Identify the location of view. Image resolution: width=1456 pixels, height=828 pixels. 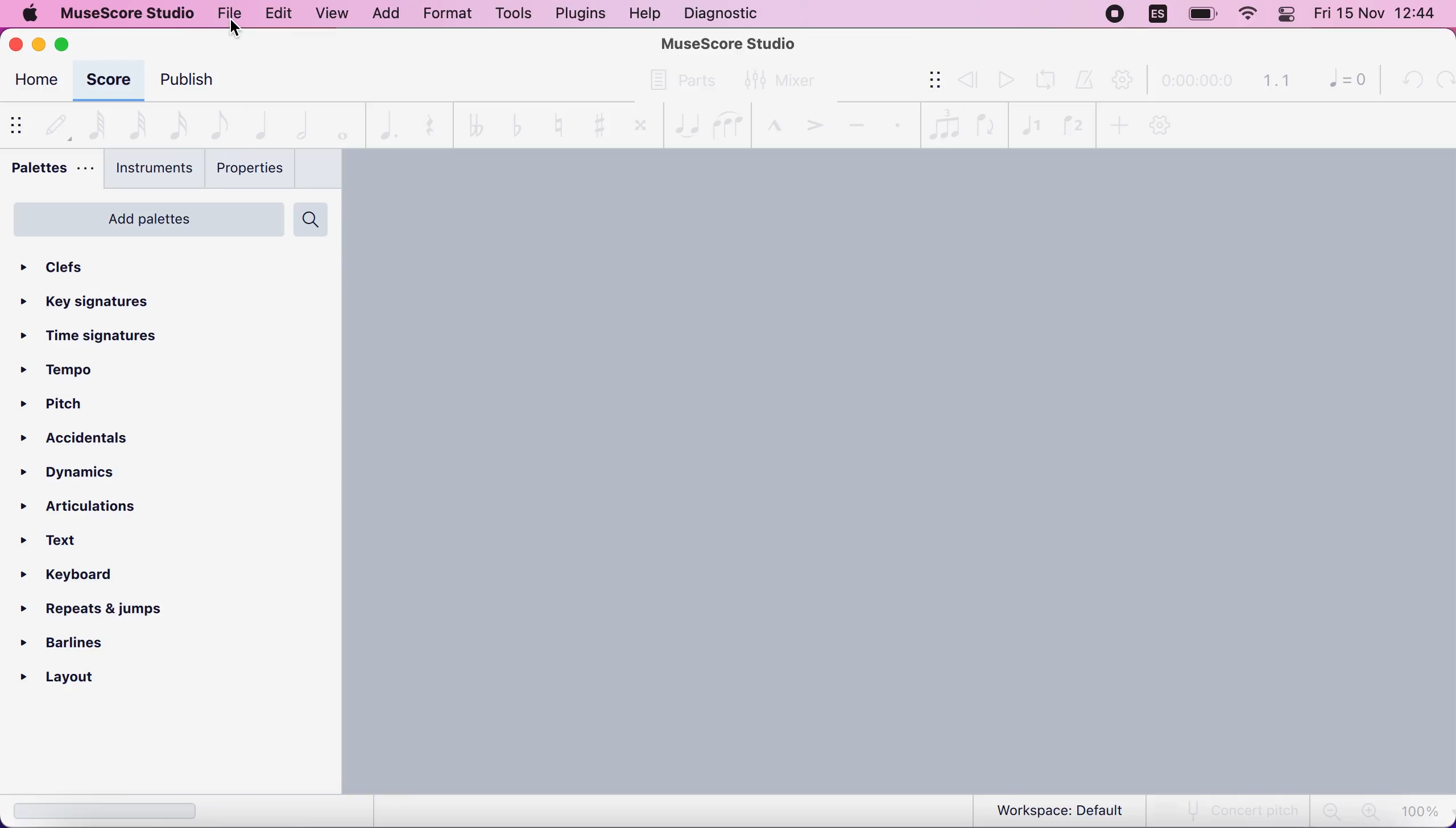
(331, 14).